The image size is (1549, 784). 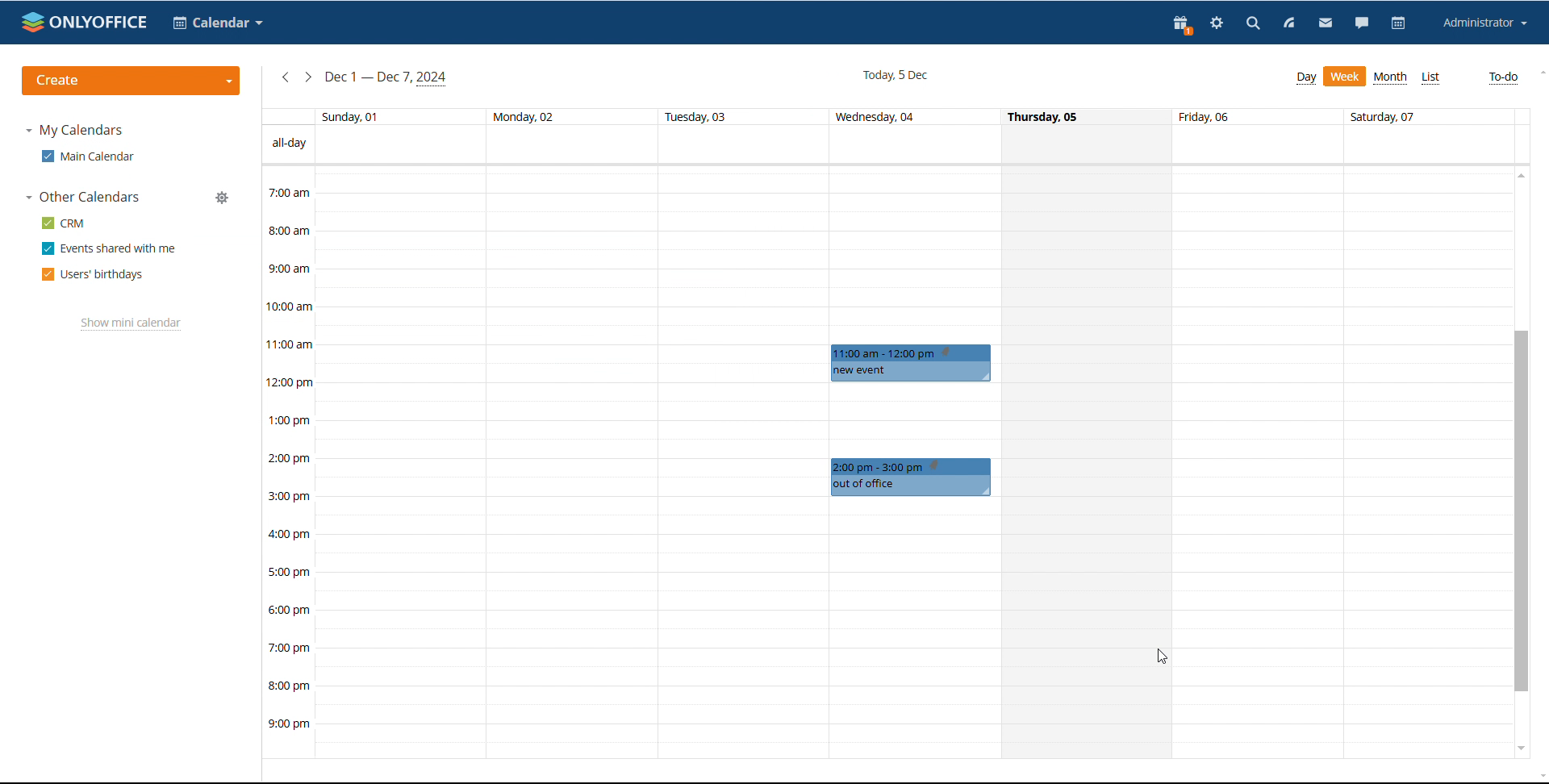 I want to click on present, so click(x=1184, y=27).